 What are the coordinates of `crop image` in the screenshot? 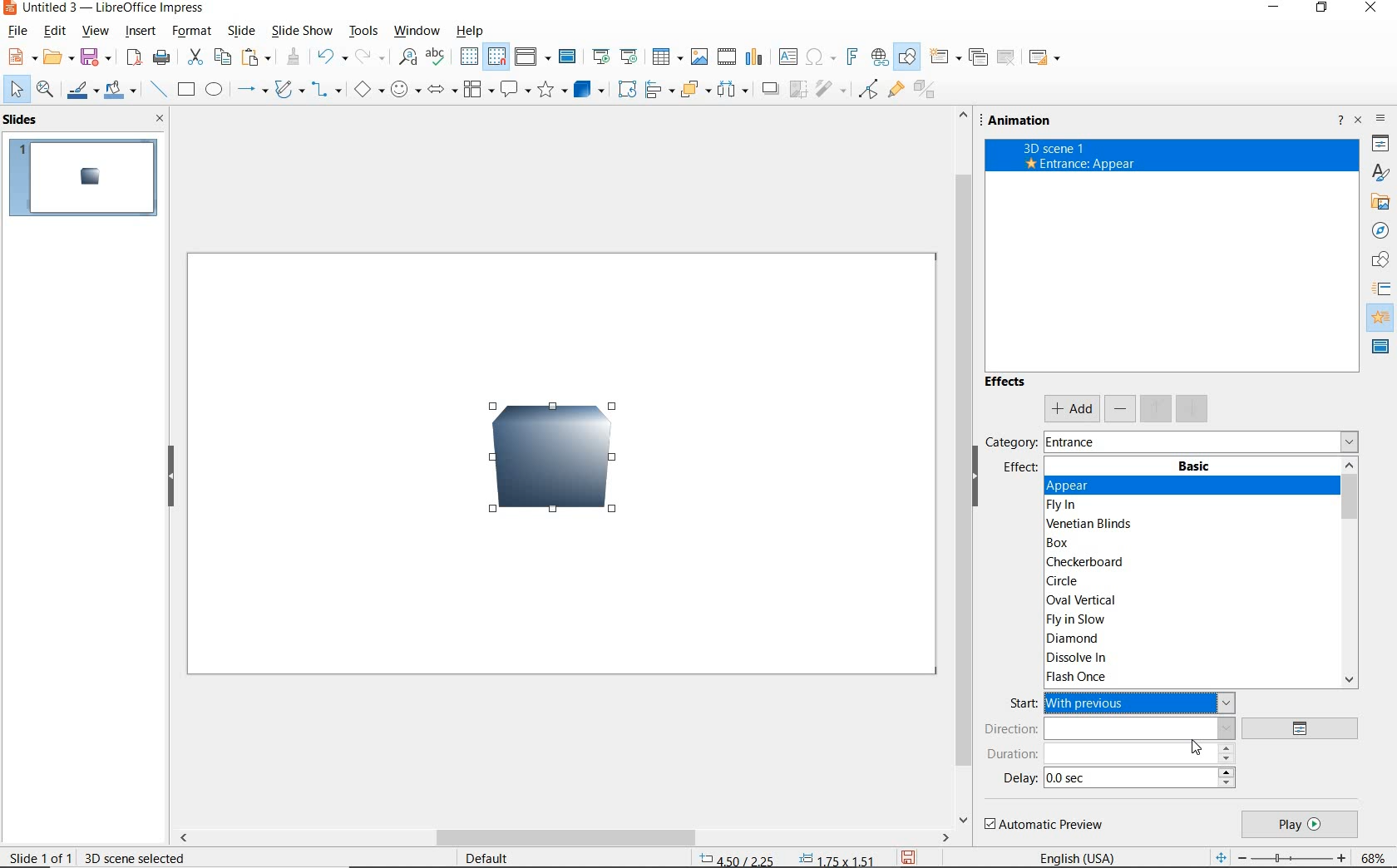 It's located at (799, 87).